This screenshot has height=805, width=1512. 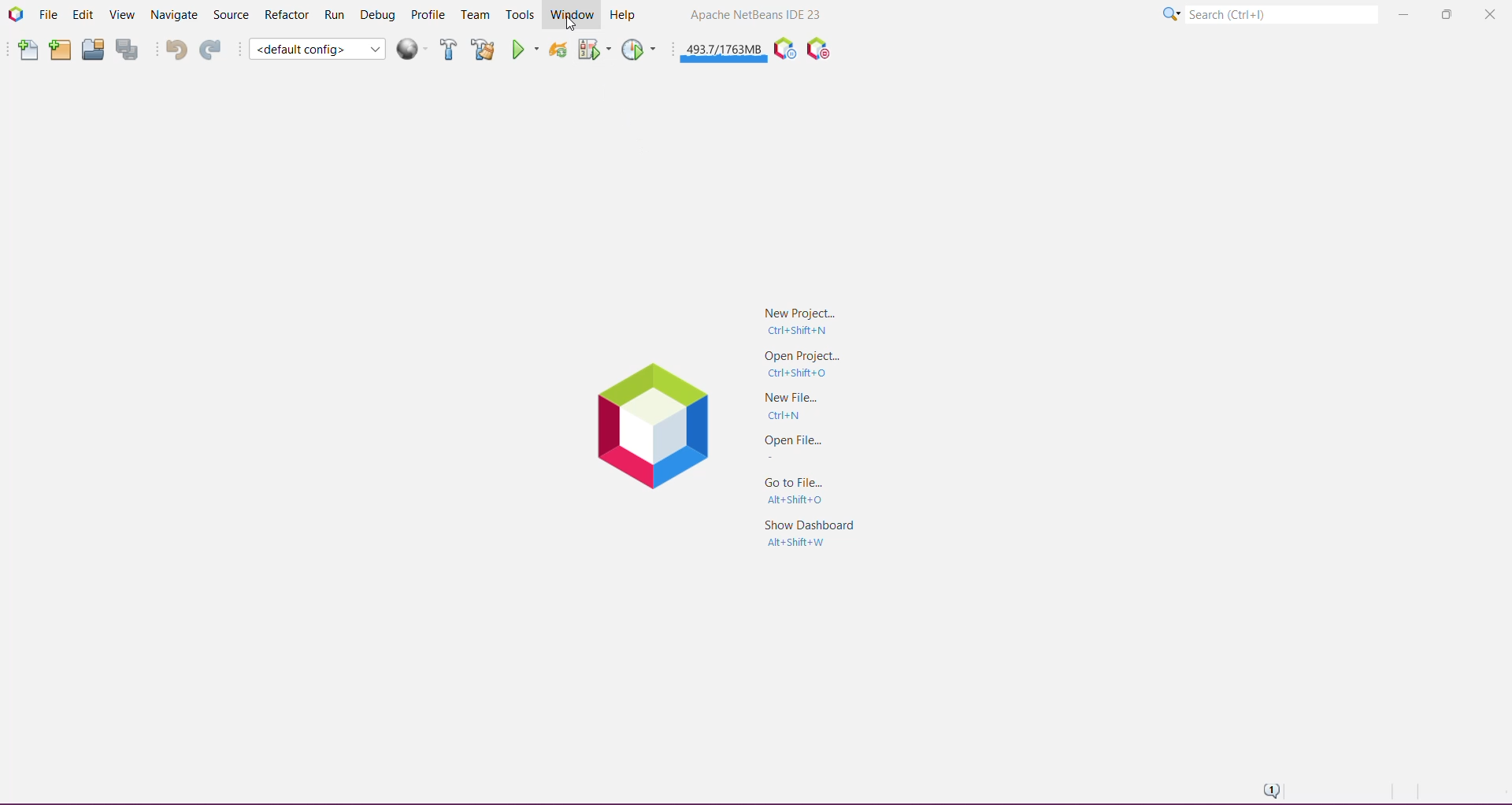 I want to click on Help, so click(x=624, y=13).